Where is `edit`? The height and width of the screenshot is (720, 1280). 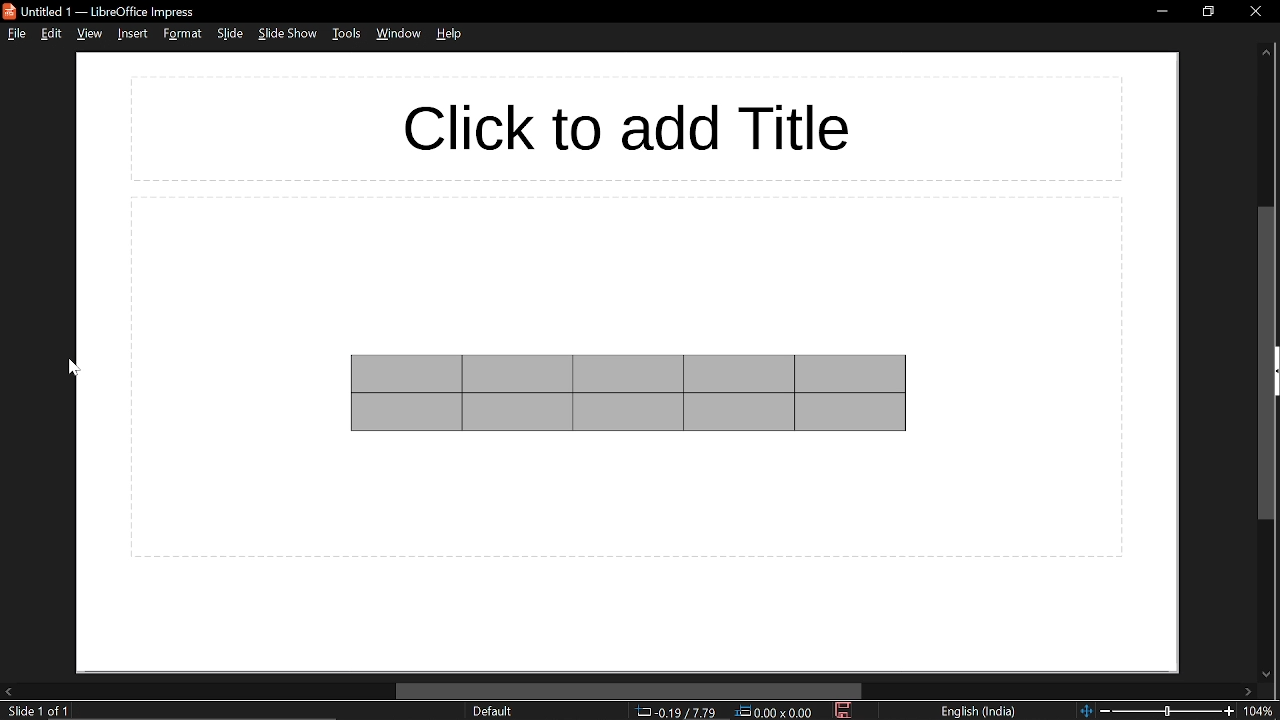 edit is located at coordinates (53, 33).